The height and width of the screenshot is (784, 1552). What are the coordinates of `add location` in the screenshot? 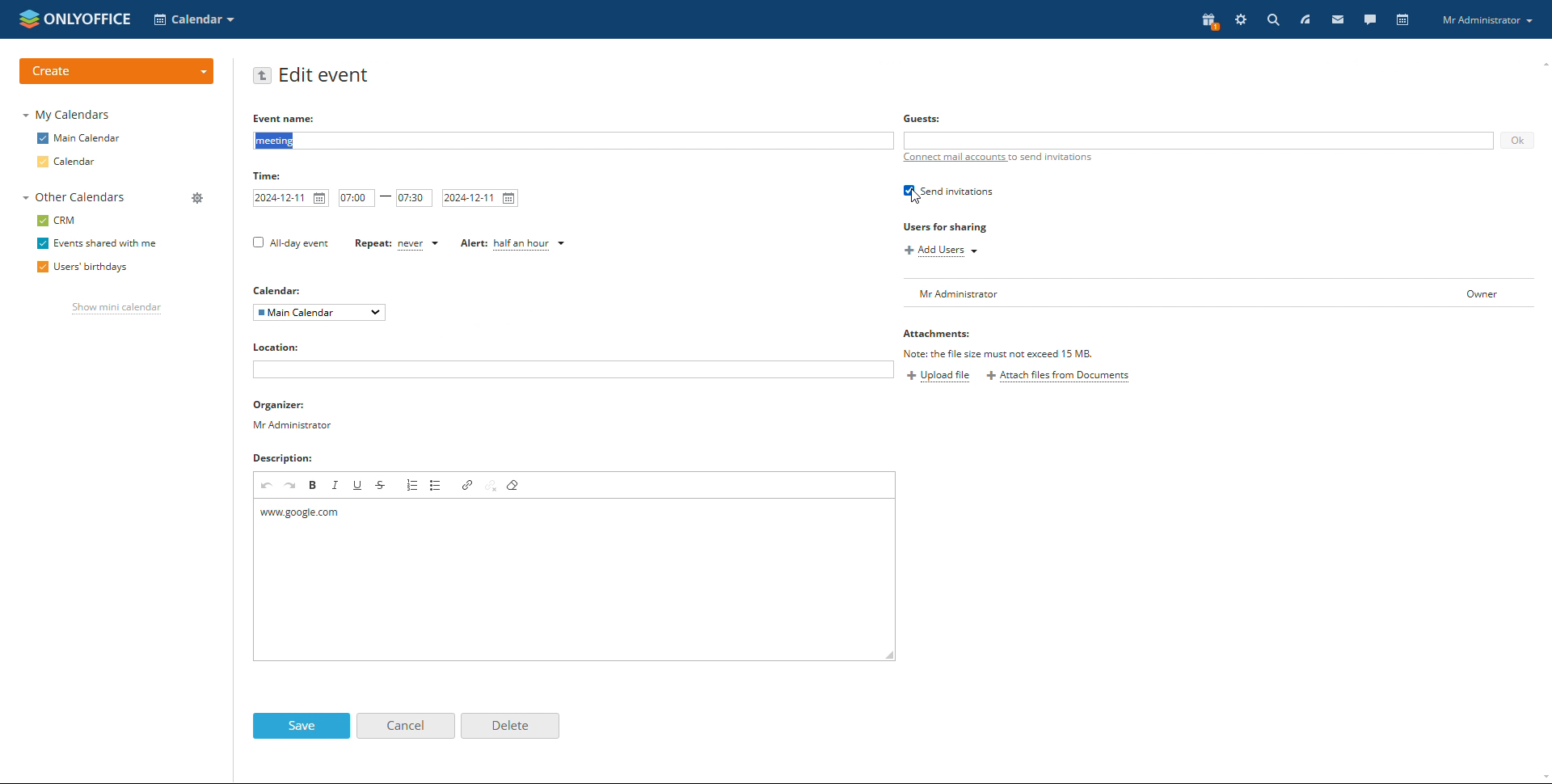 It's located at (573, 369).